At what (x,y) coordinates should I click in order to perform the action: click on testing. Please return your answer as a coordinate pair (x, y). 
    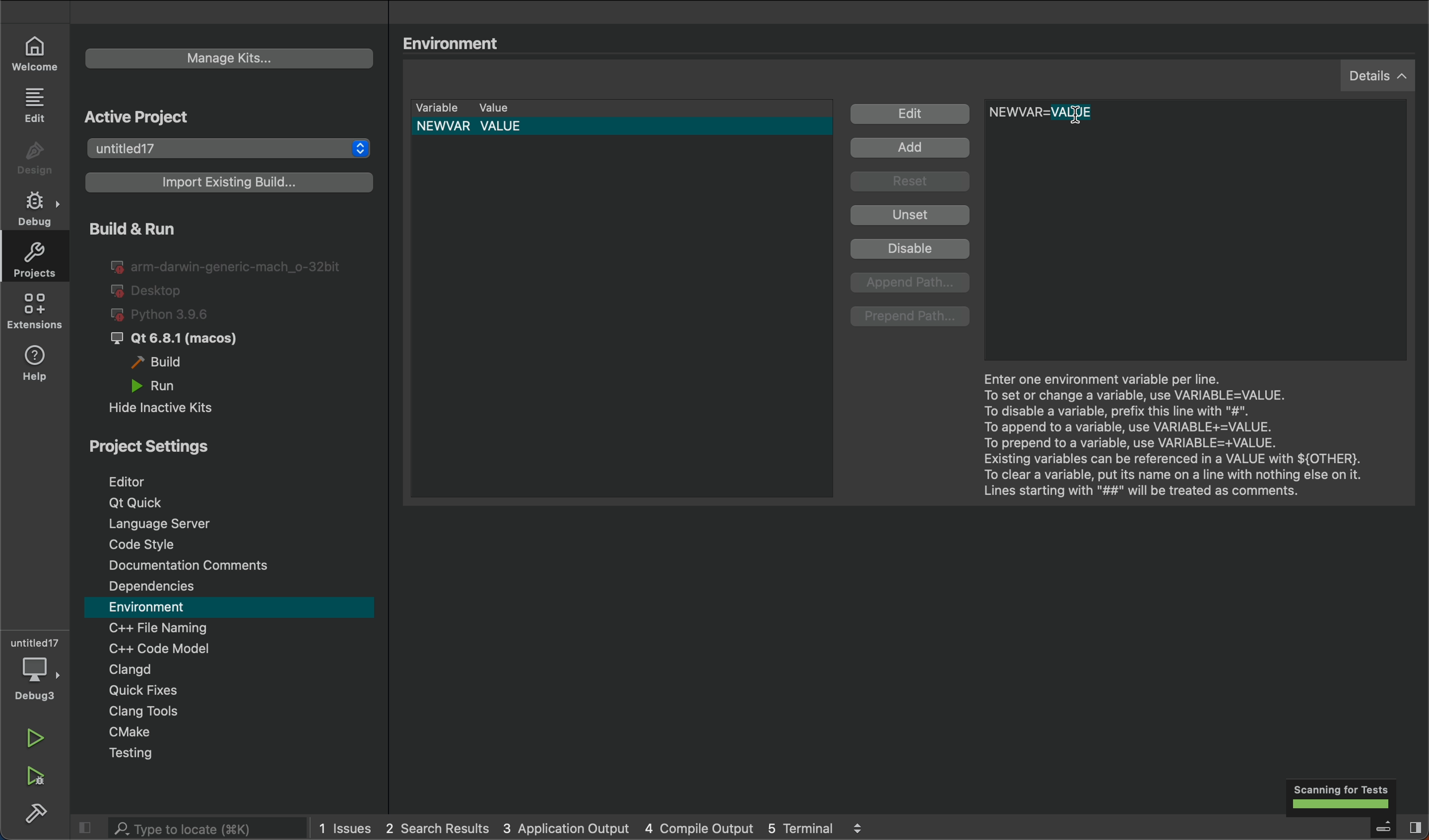
    Looking at the image, I should click on (236, 754).